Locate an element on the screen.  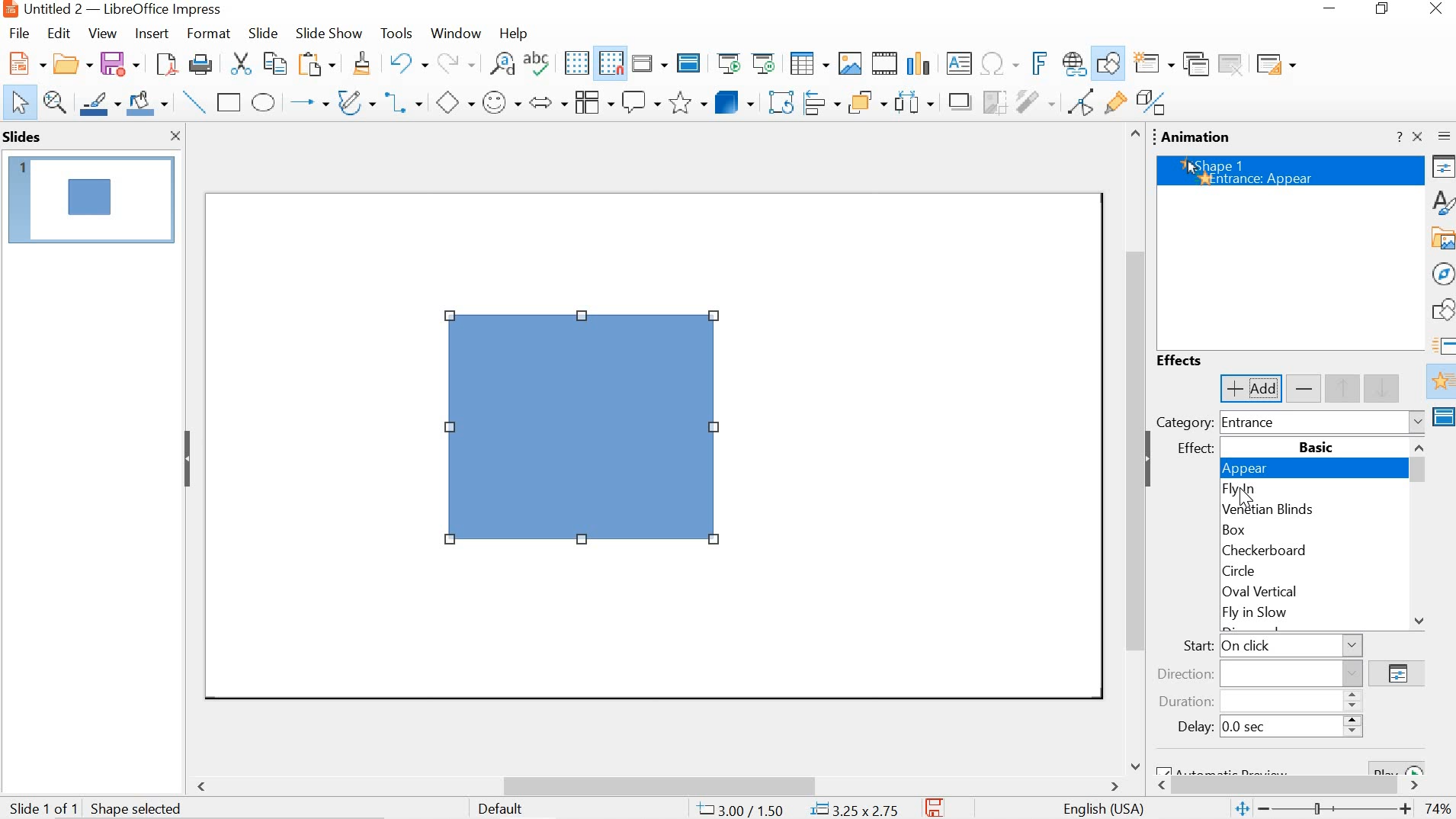
oral vertical is located at coordinates (1294, 592).